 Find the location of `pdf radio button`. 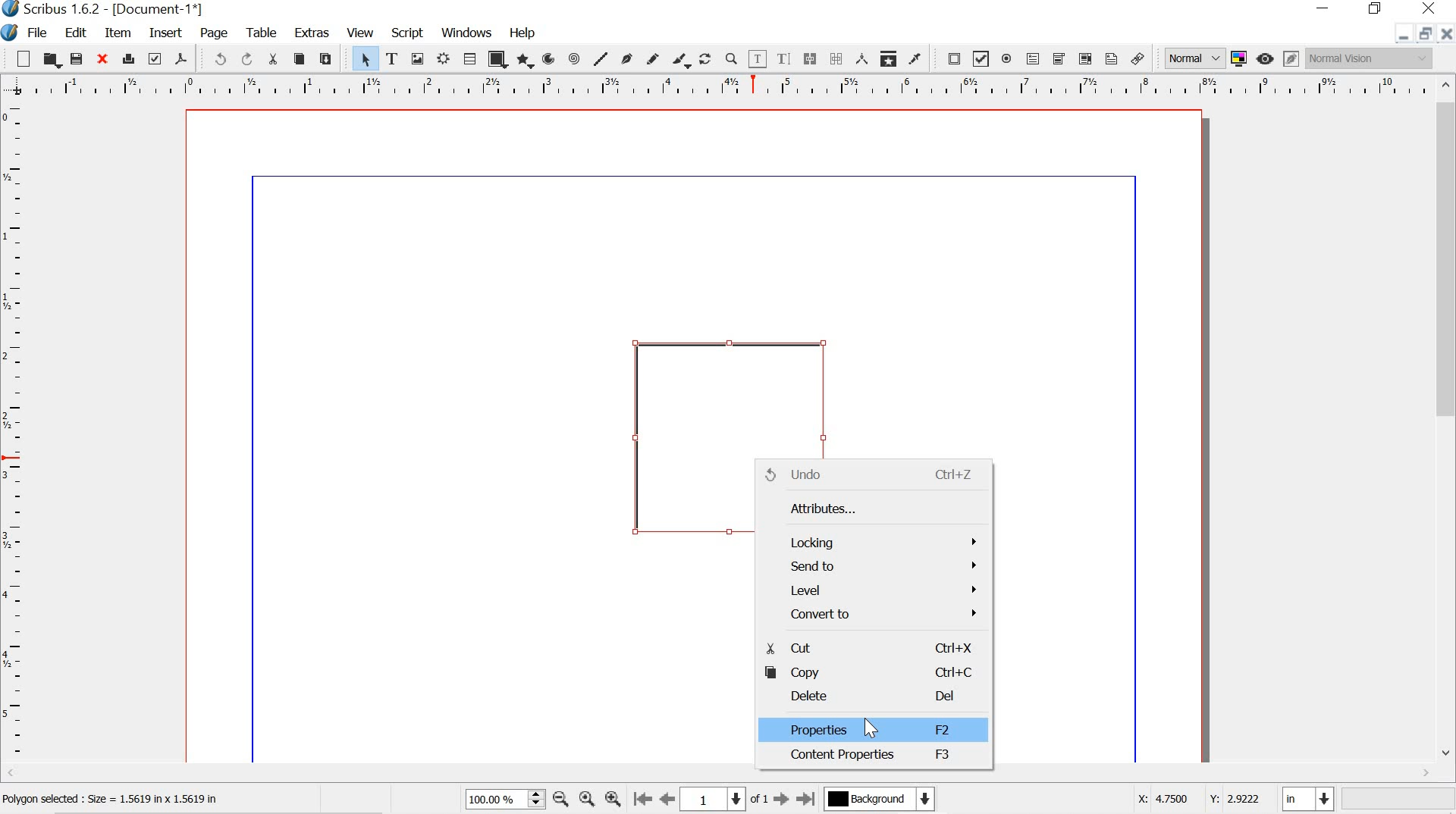

pdf radio button is located at coordinates (1009, 59).